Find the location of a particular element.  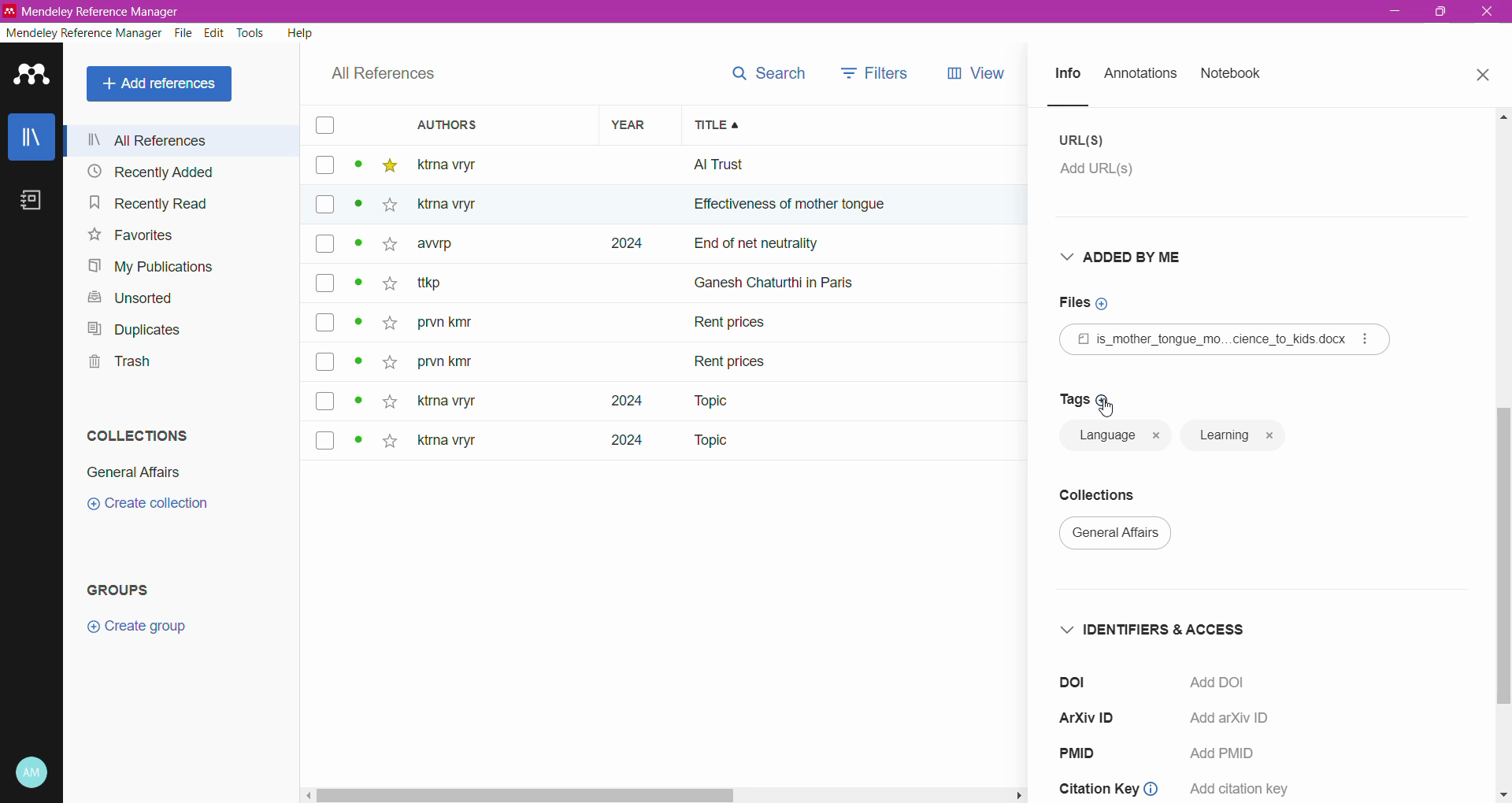

ArXiV ID is located at coordinates (1092, 714).